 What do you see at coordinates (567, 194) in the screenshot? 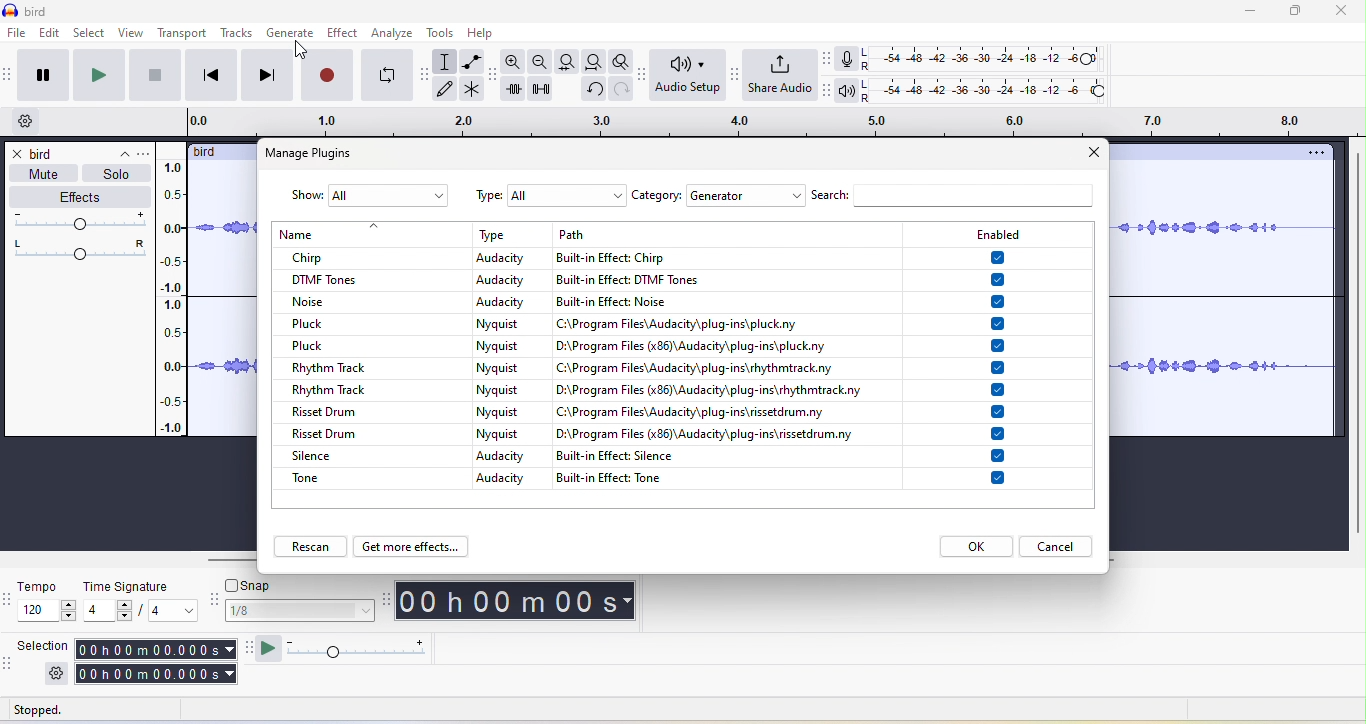
I see `all` at bounding box center [567, 194].